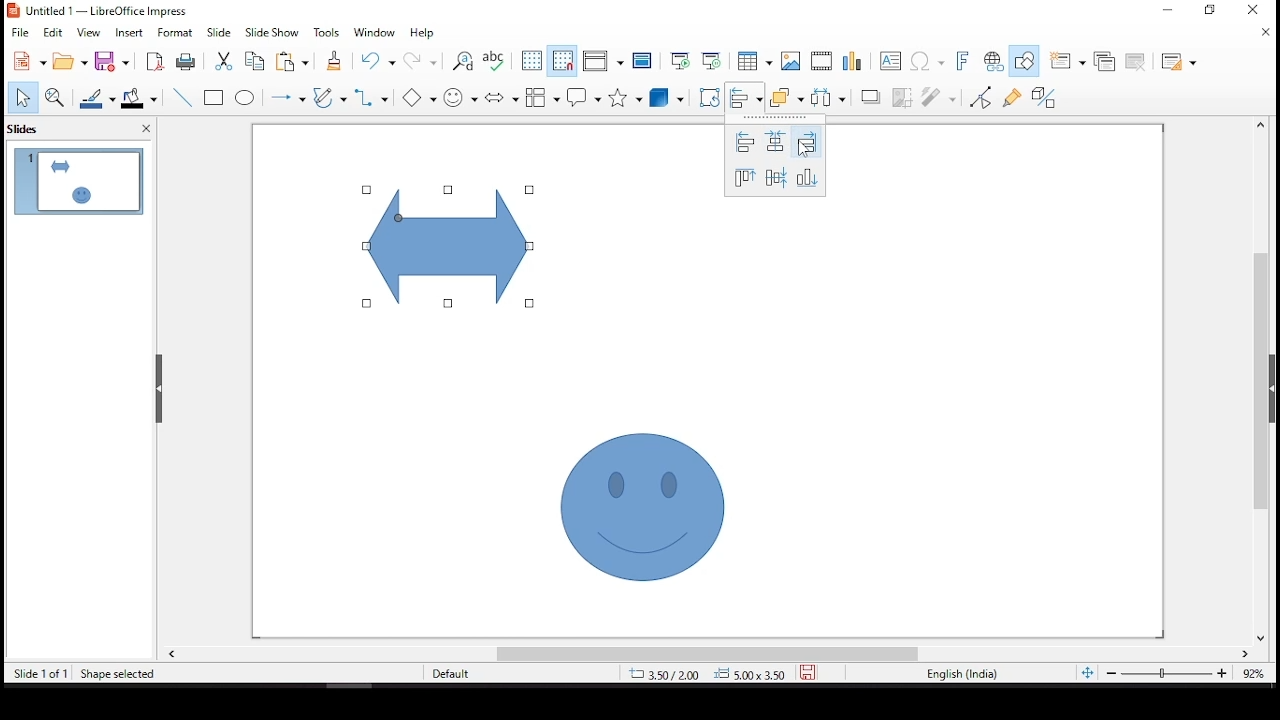 The width and height of the screenshot is (1280, 720). I want to click on image, so click(791, 60).